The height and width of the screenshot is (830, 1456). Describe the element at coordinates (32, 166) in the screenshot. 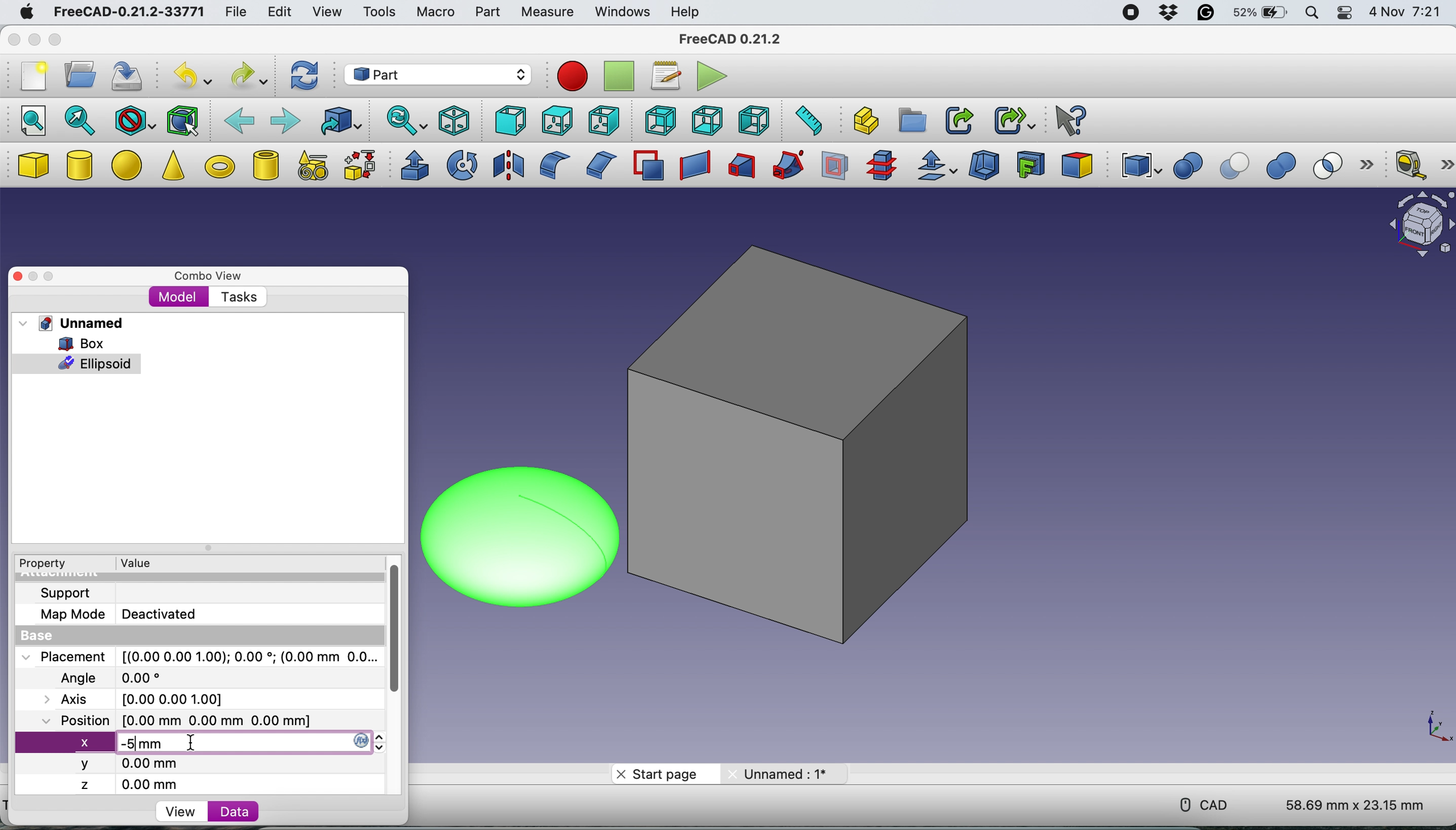

I see `box` at that location.